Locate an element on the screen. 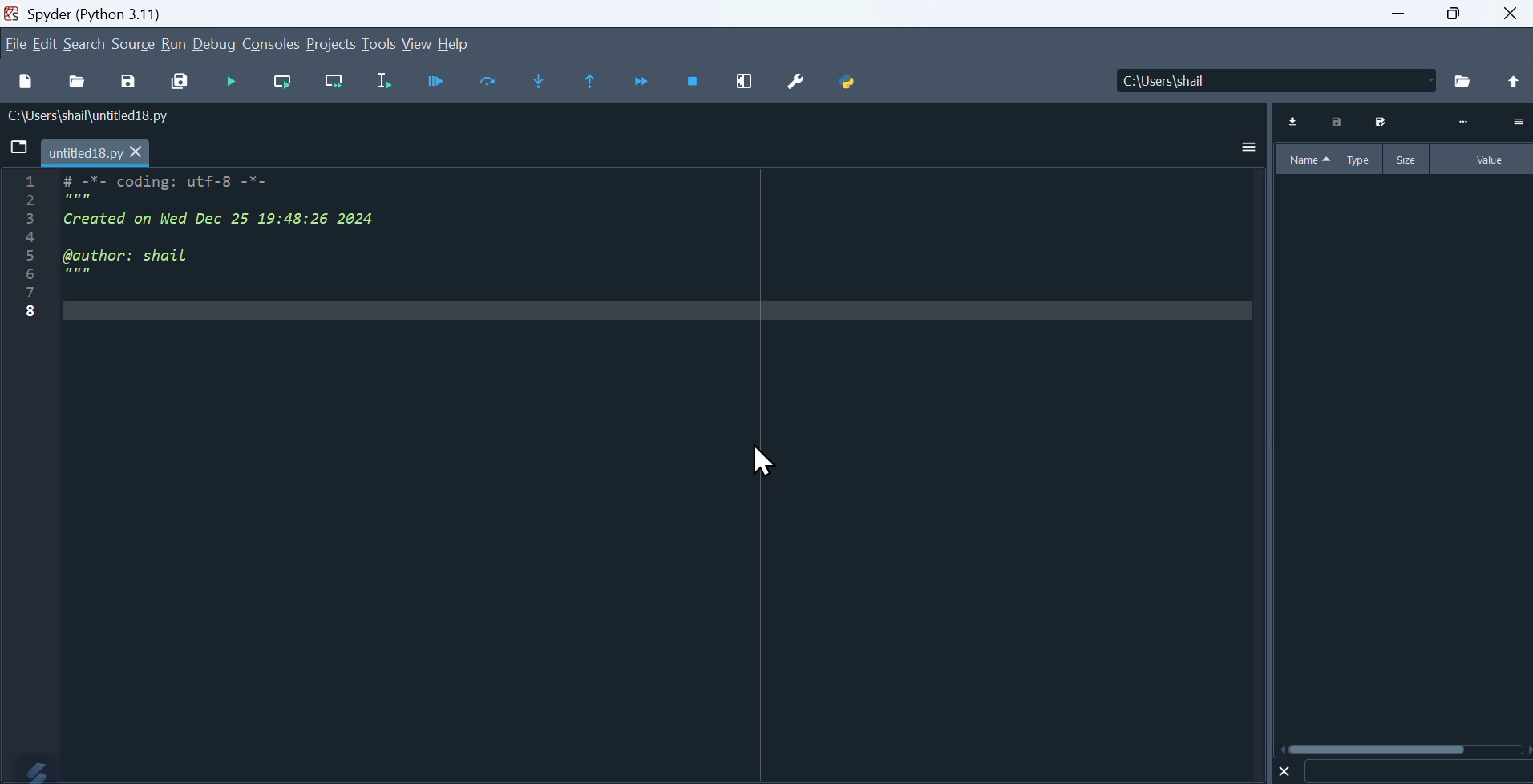 The width and height of the screenshot is (1533, 784). Find next is located at coordinates (536, 80).